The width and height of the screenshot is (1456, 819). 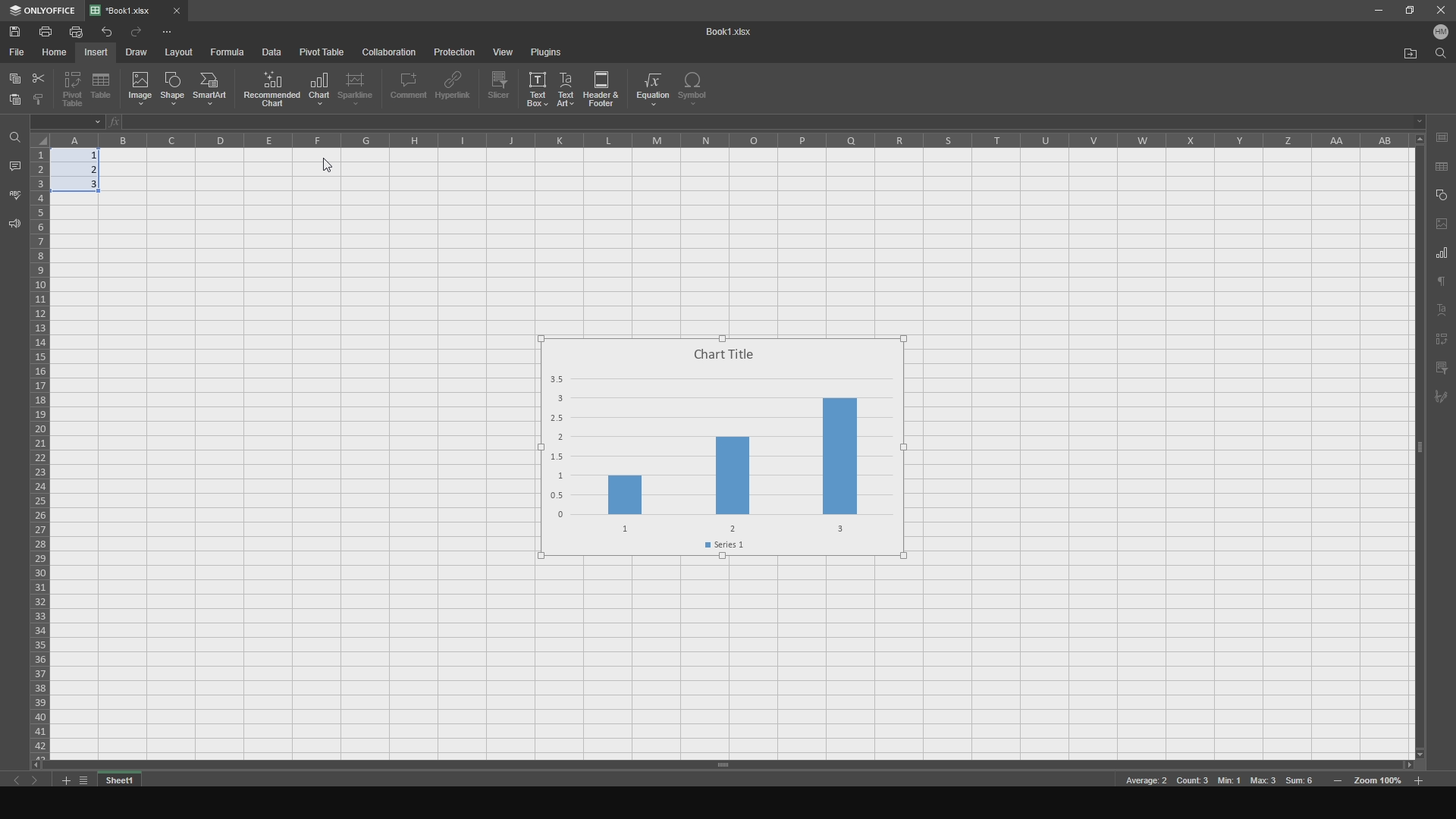 I want to click on minimize, so click(x=1377, y=12).